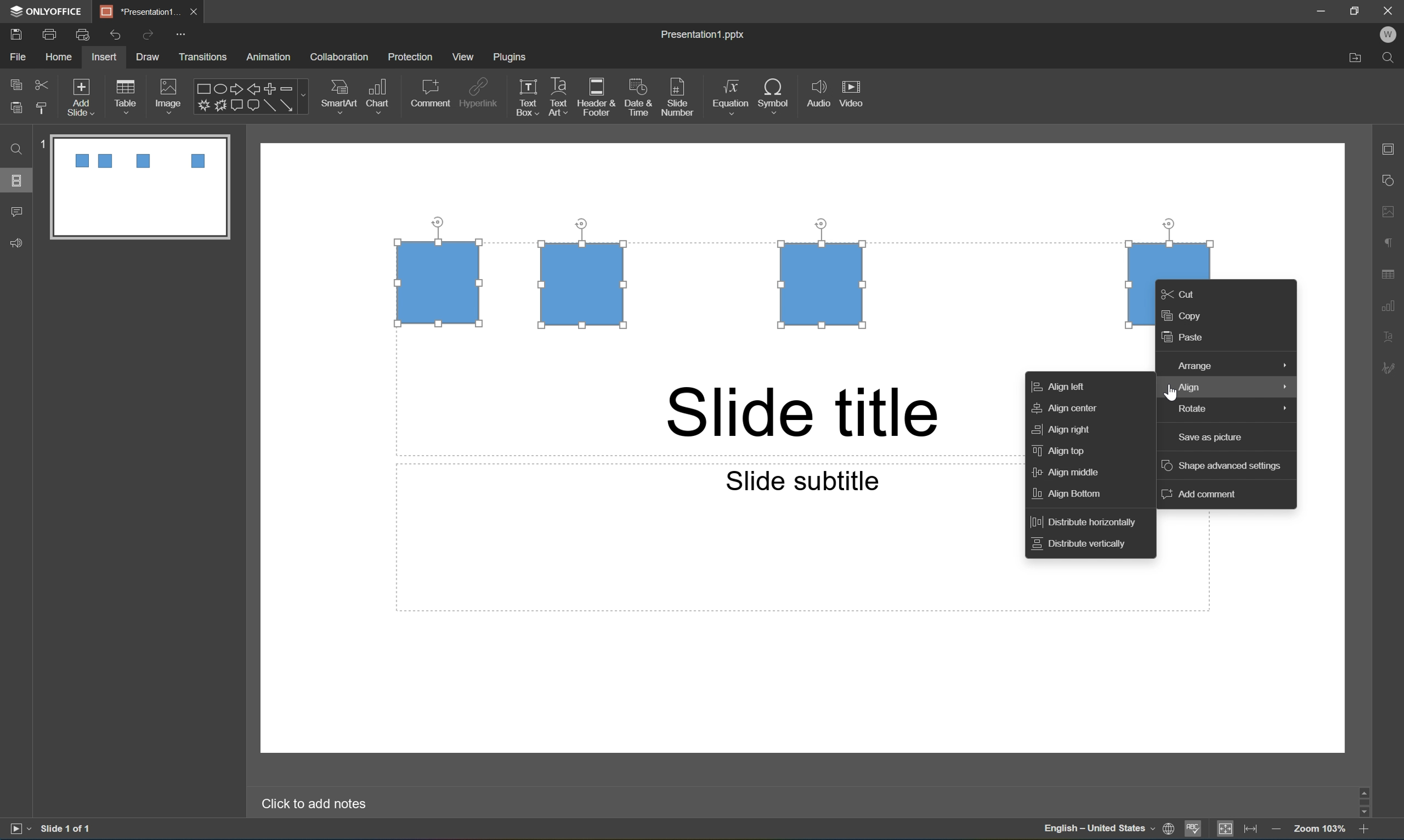  I want to click on close, so click(196, 12).